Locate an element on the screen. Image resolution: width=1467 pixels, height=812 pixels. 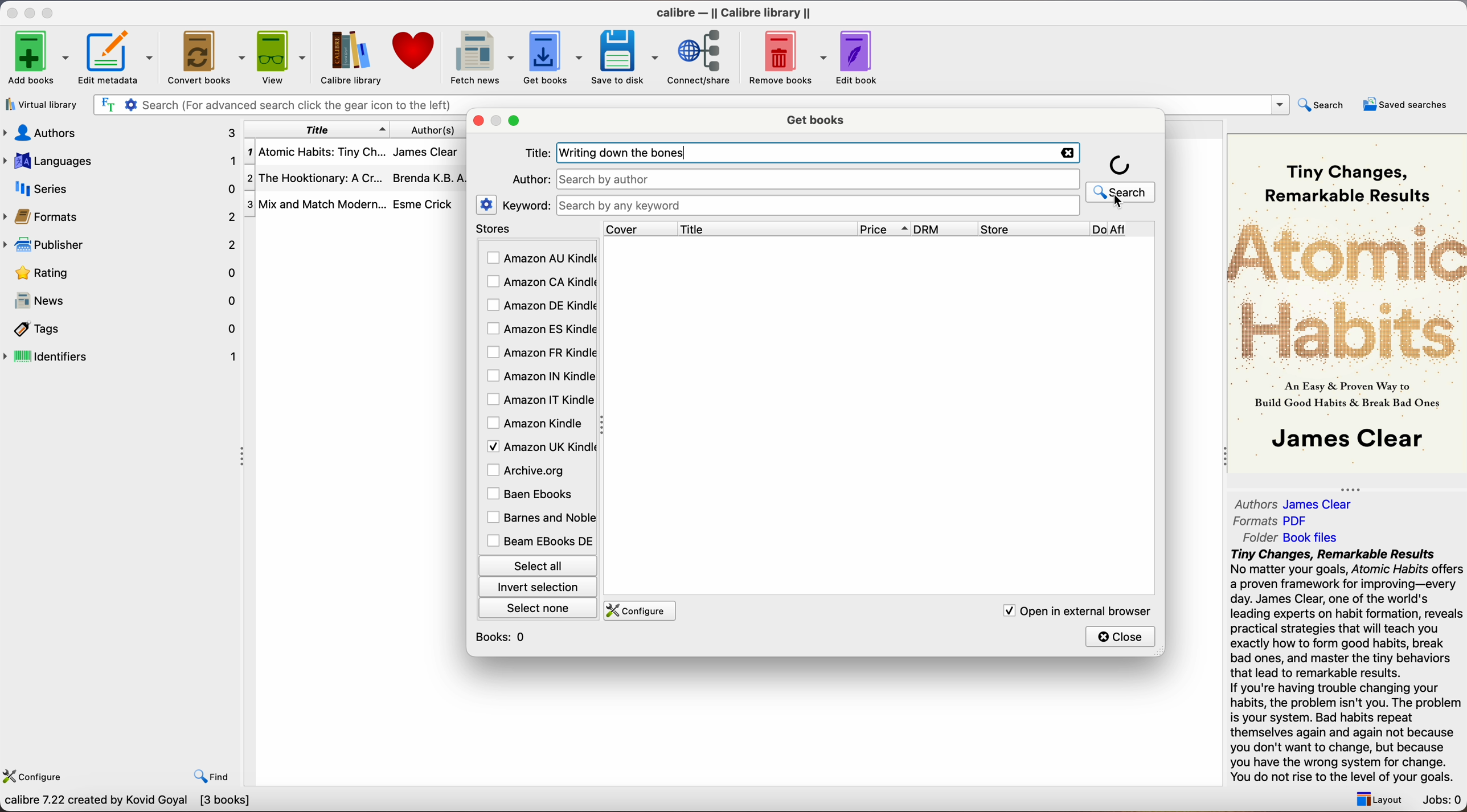
keyword is located at coordinates (526, 205).